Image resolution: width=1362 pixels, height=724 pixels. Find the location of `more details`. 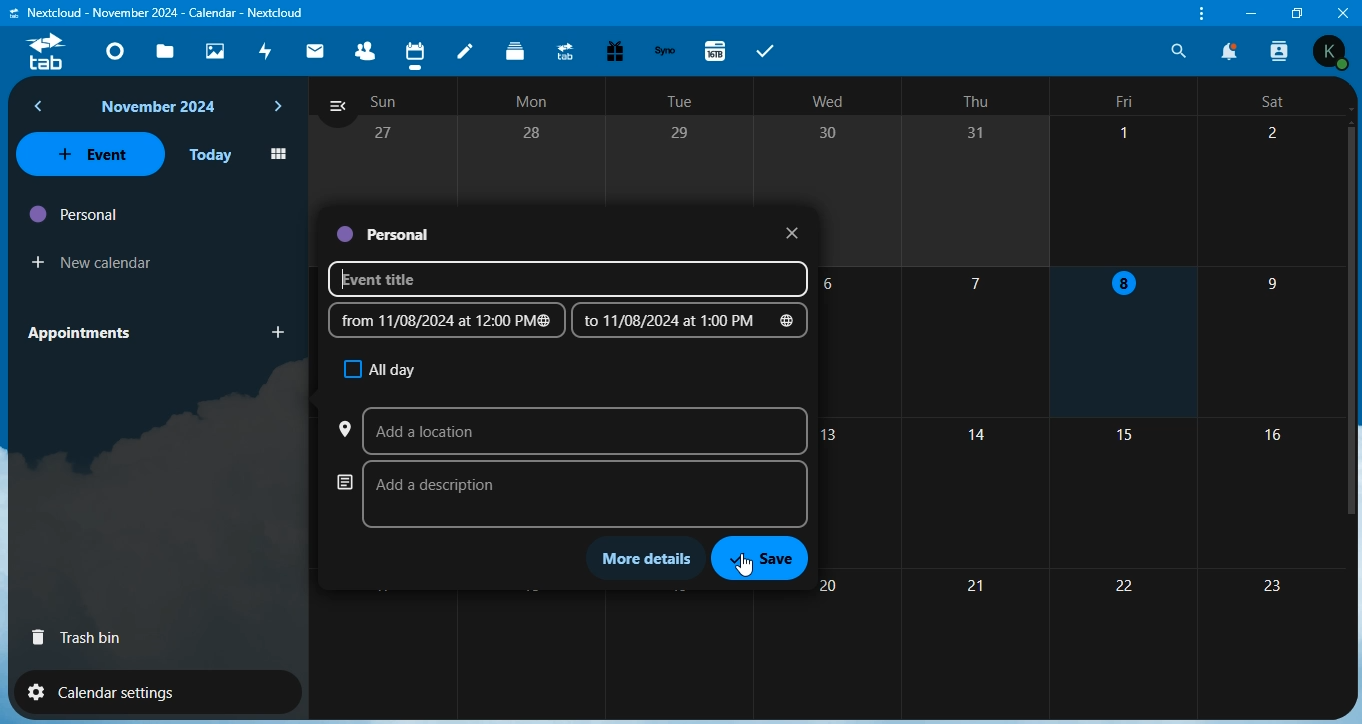

more details is located at coordinates (650, 557).